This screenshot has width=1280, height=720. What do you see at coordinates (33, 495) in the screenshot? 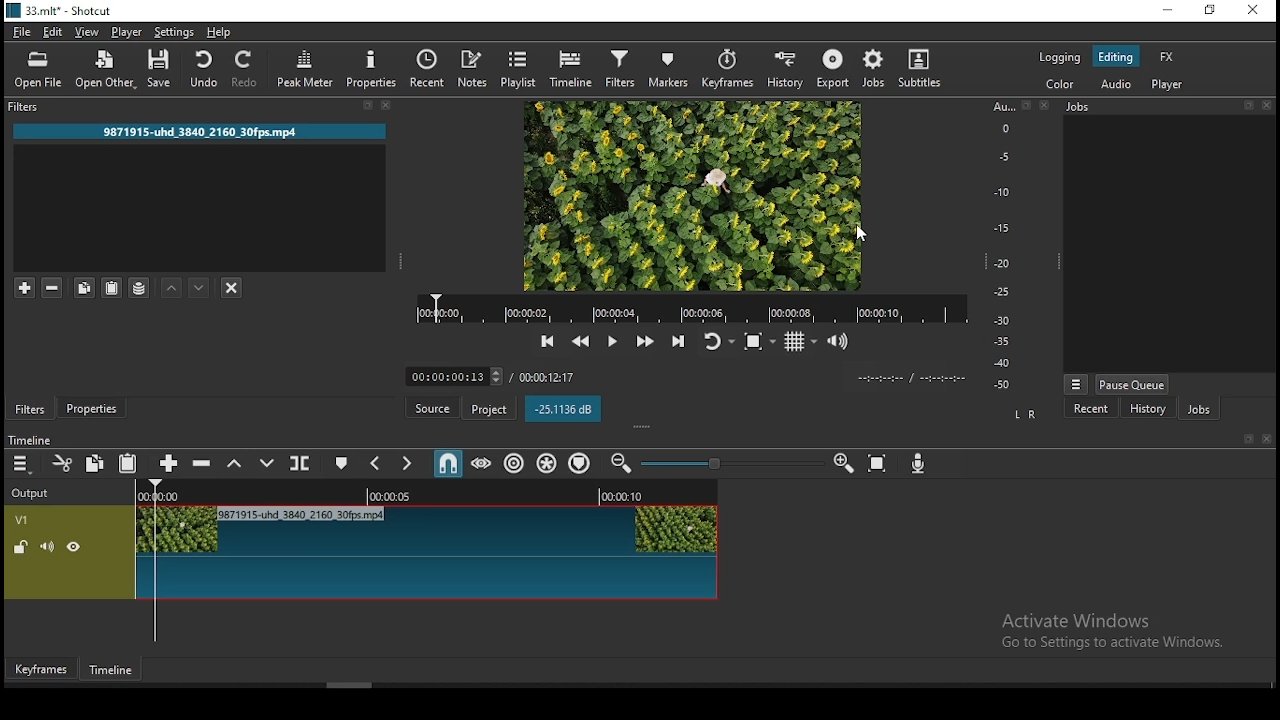
I see `output` at bounding box center [33, 495].